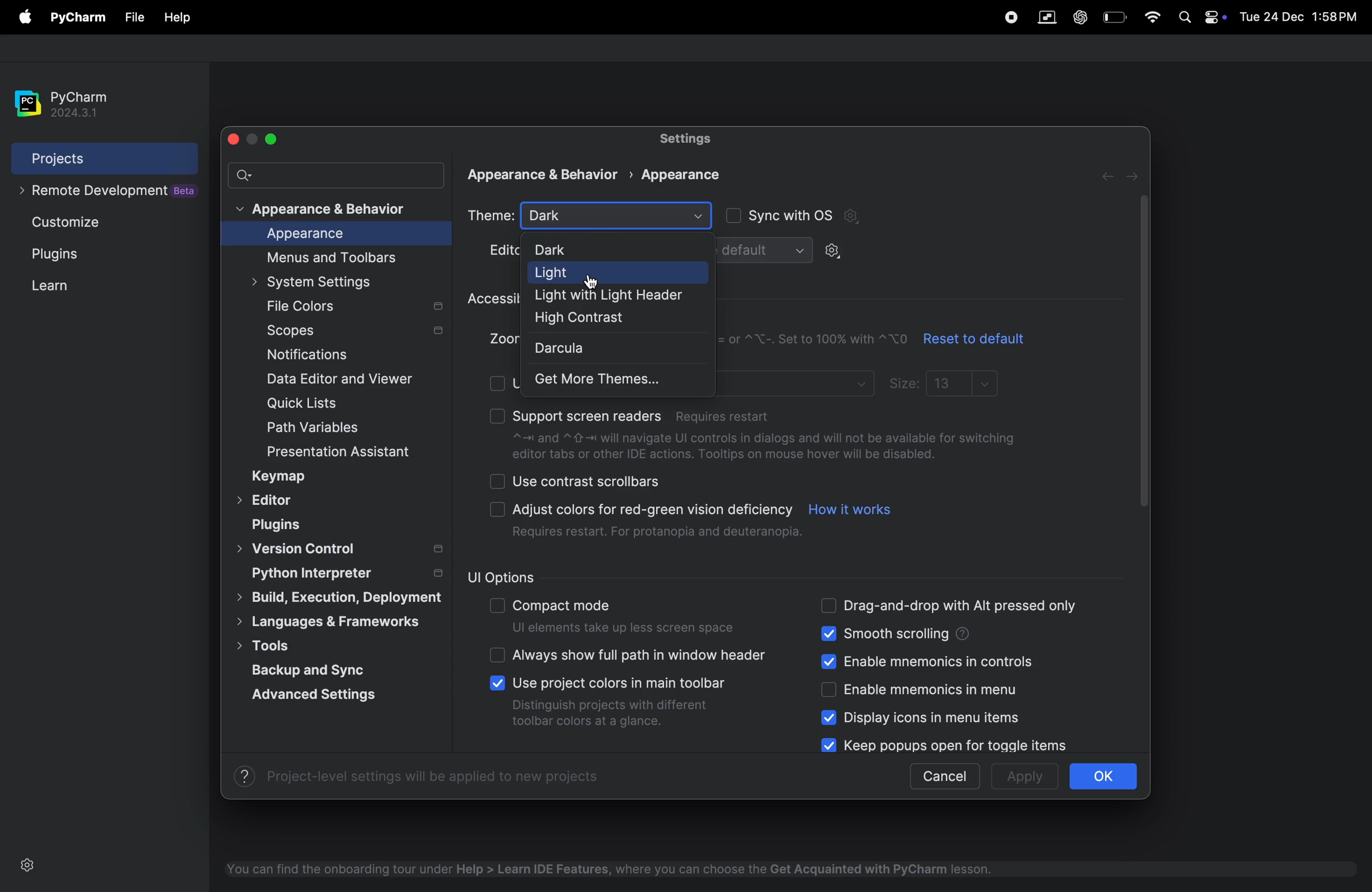 The height and width of the screenshot is (892, 1372). Describe the element at coordinates (487, 300) in the screenshot. I see `accessibilty` at that location.